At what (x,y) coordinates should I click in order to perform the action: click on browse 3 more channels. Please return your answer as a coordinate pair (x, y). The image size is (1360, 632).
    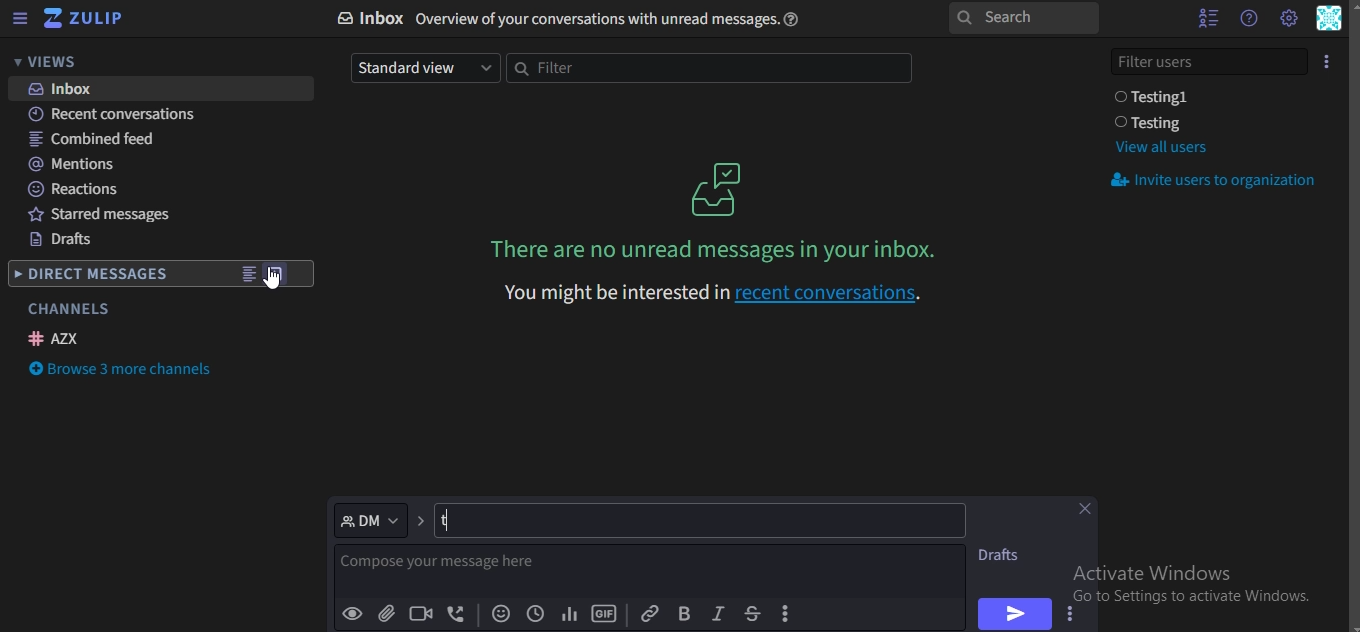
    Looking at the image, I should click on (124, 371).